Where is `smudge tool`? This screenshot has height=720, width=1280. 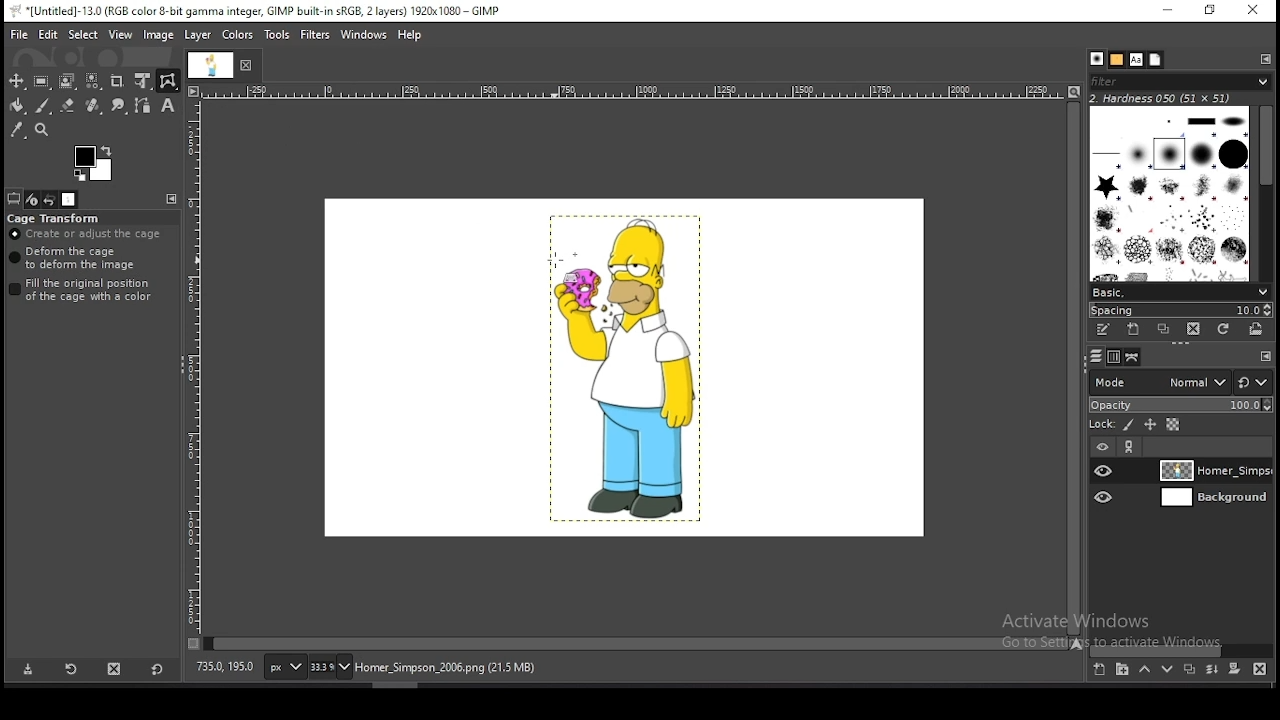
smudge tool is located at coordinates (117, 105).